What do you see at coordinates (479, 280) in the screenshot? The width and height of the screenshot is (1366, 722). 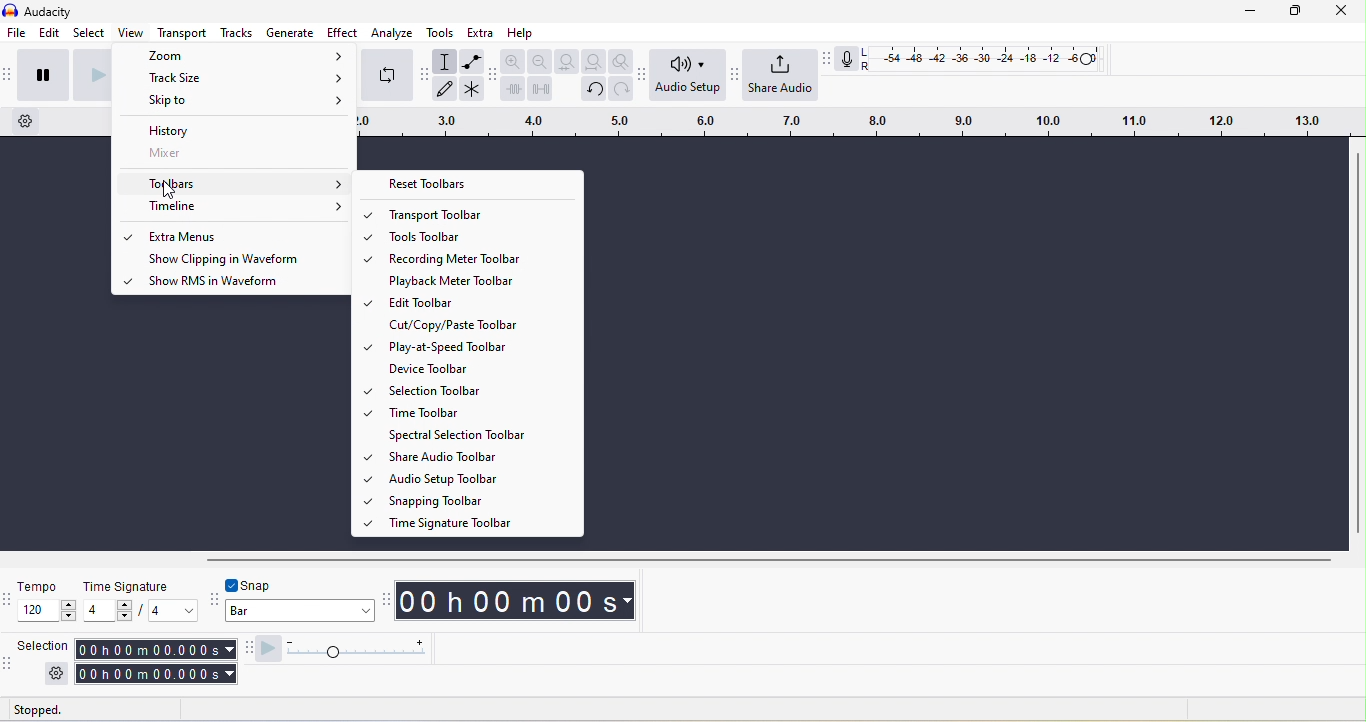 I see `Playback metre toolbar` at bounding box center [479, 280].